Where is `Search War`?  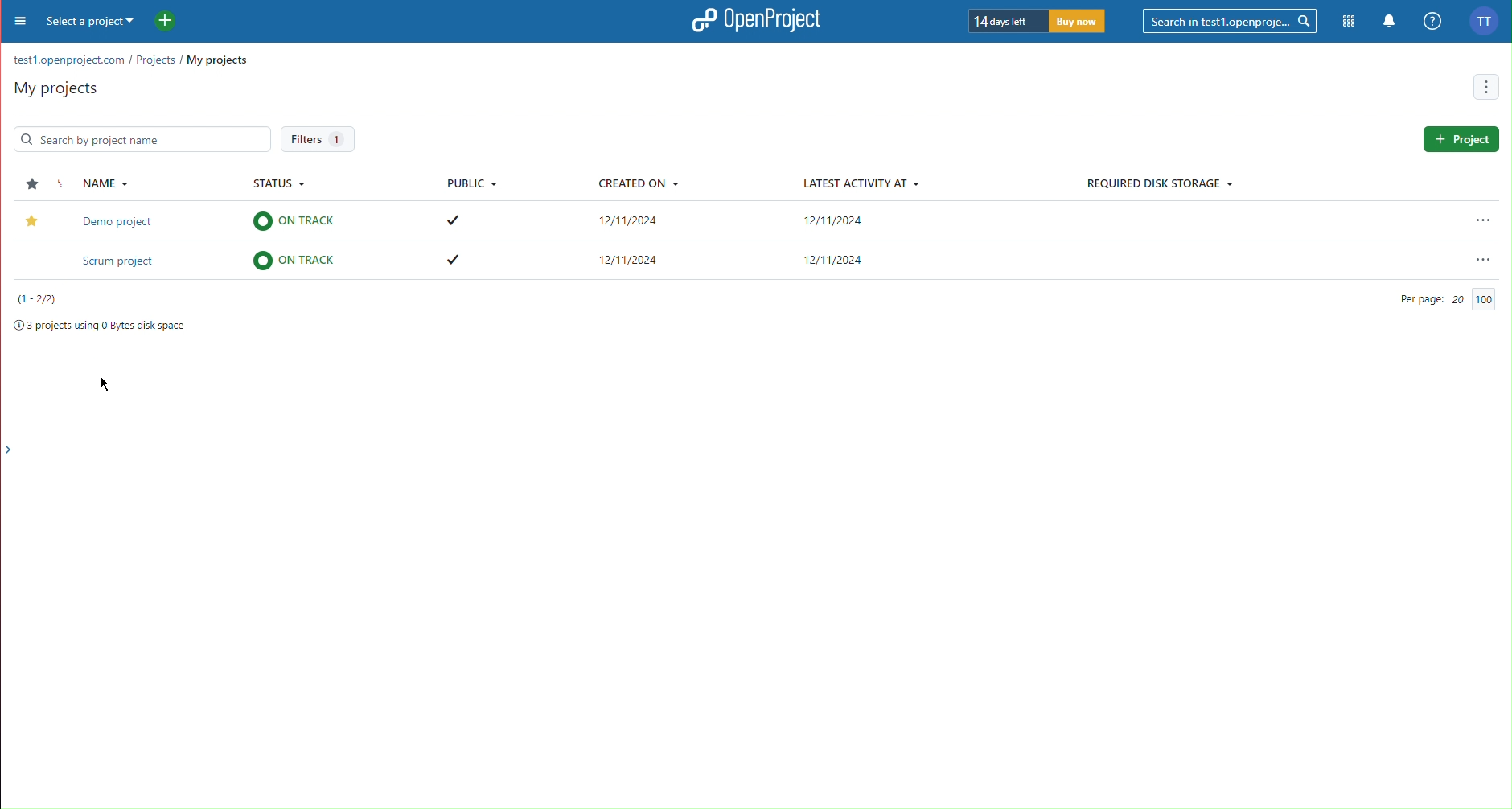 Search War is located at coordinates (1231, 19).